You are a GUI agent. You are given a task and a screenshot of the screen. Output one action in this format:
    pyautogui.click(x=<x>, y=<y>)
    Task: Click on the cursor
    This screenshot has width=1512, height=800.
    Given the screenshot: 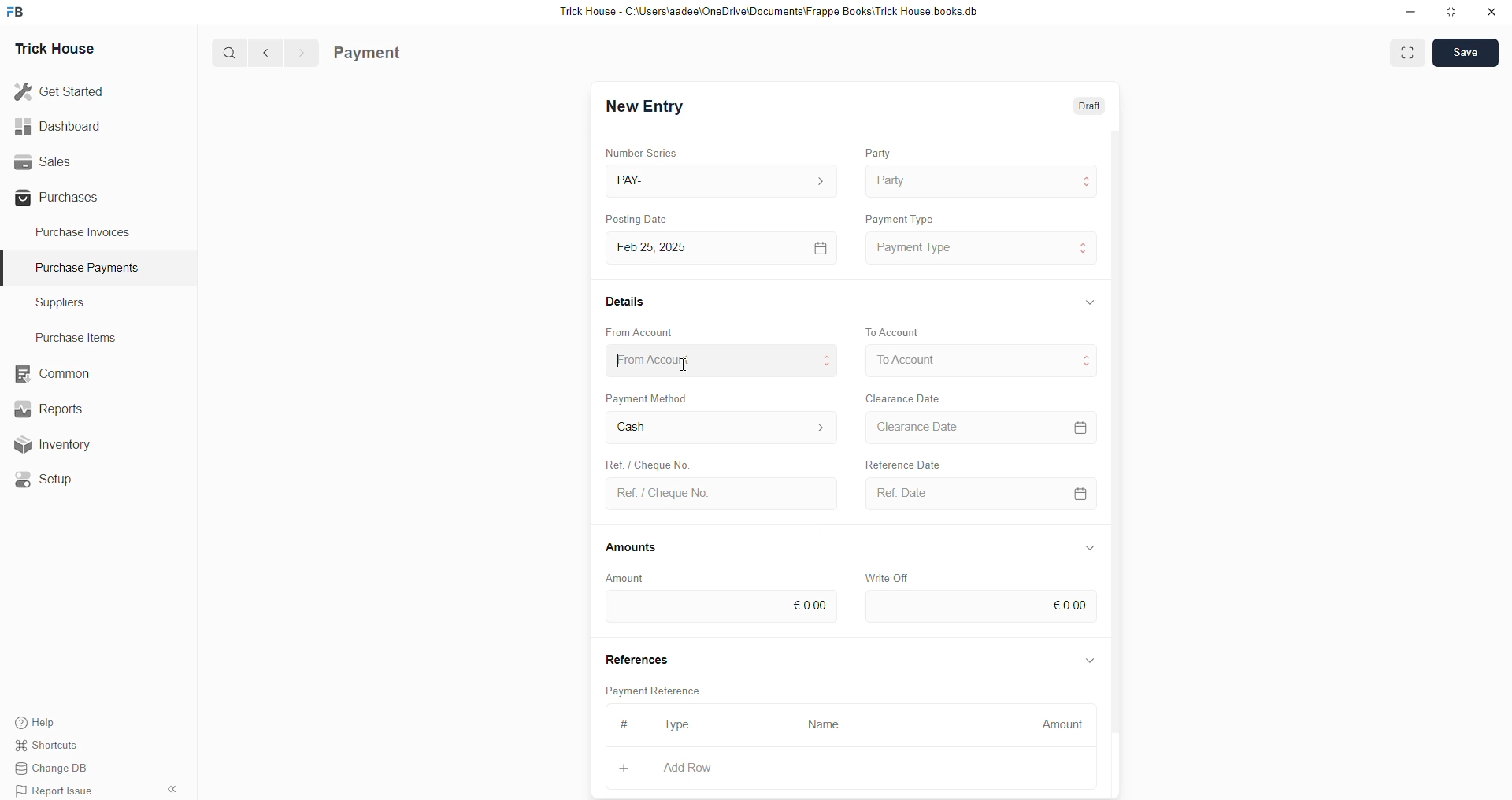 What is the action you would take?
    pyautogui.click(x=691, y=368)
    